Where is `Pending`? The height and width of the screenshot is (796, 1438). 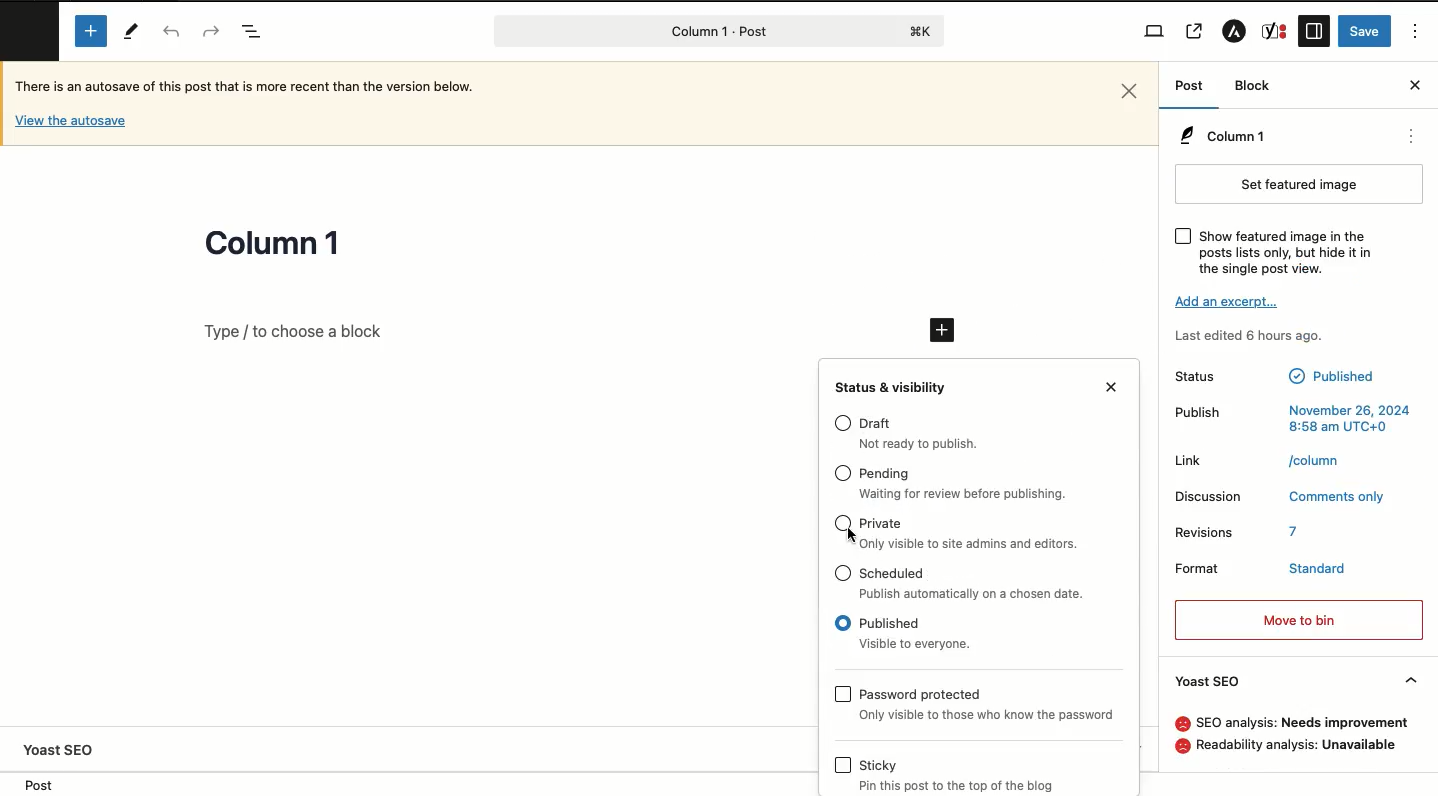 Pending is located at coordinates (885, 475).